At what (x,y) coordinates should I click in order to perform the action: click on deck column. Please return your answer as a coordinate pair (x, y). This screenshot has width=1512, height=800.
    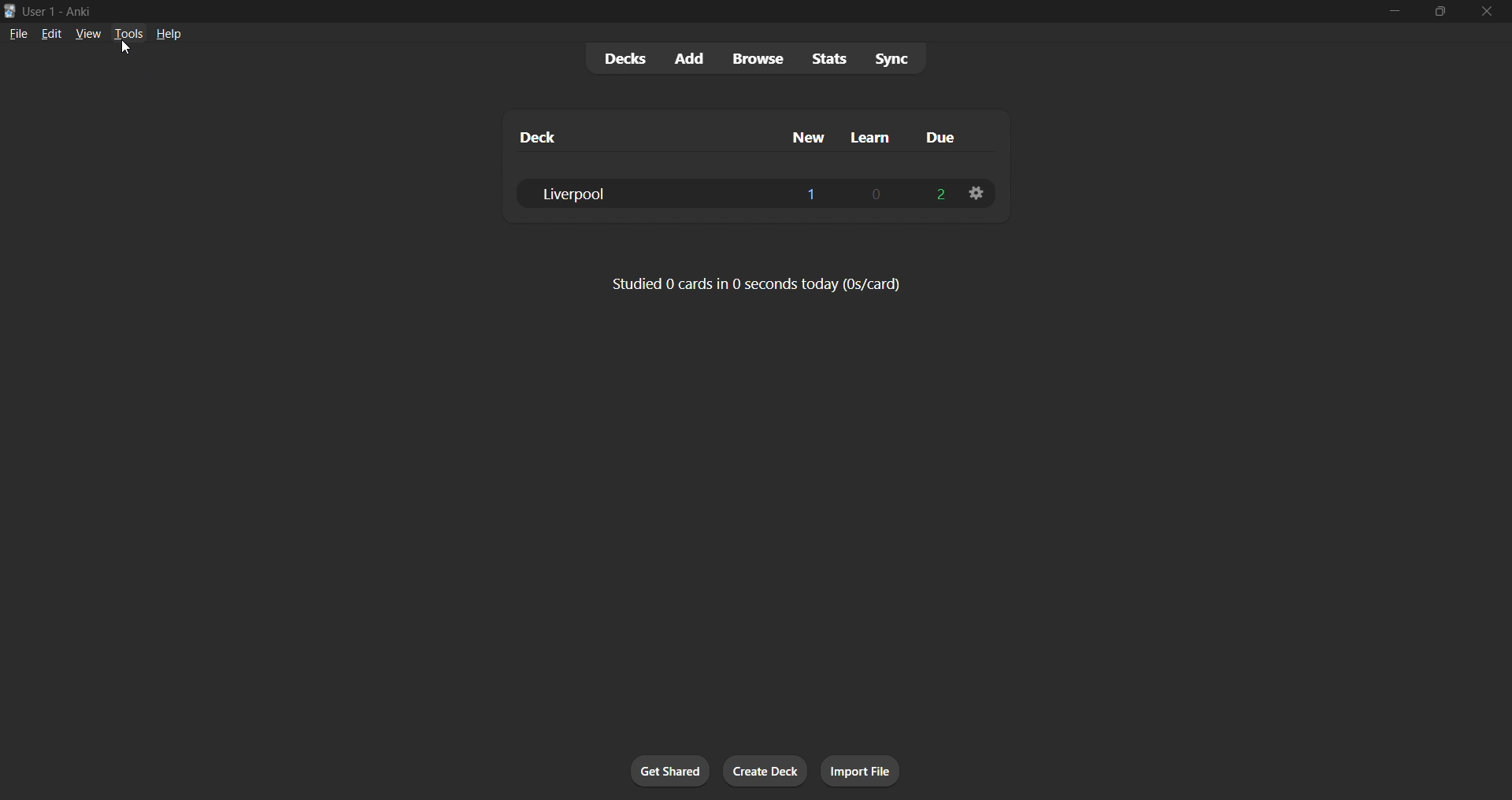
    Looking at the image, I should click on (630, 136).